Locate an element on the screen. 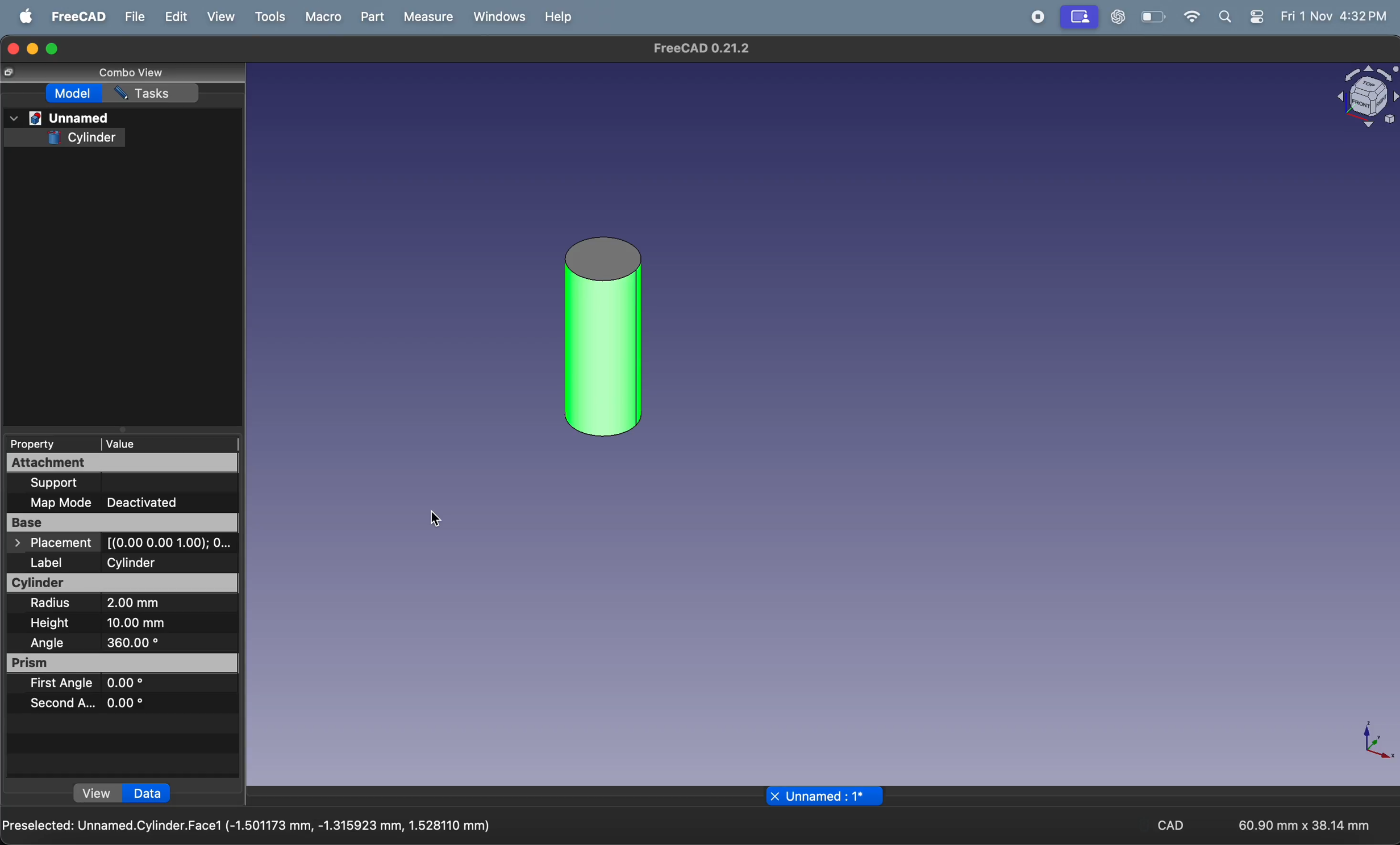 This screenshot has width=1400, height=845. model is located at coordinates (74, 94).